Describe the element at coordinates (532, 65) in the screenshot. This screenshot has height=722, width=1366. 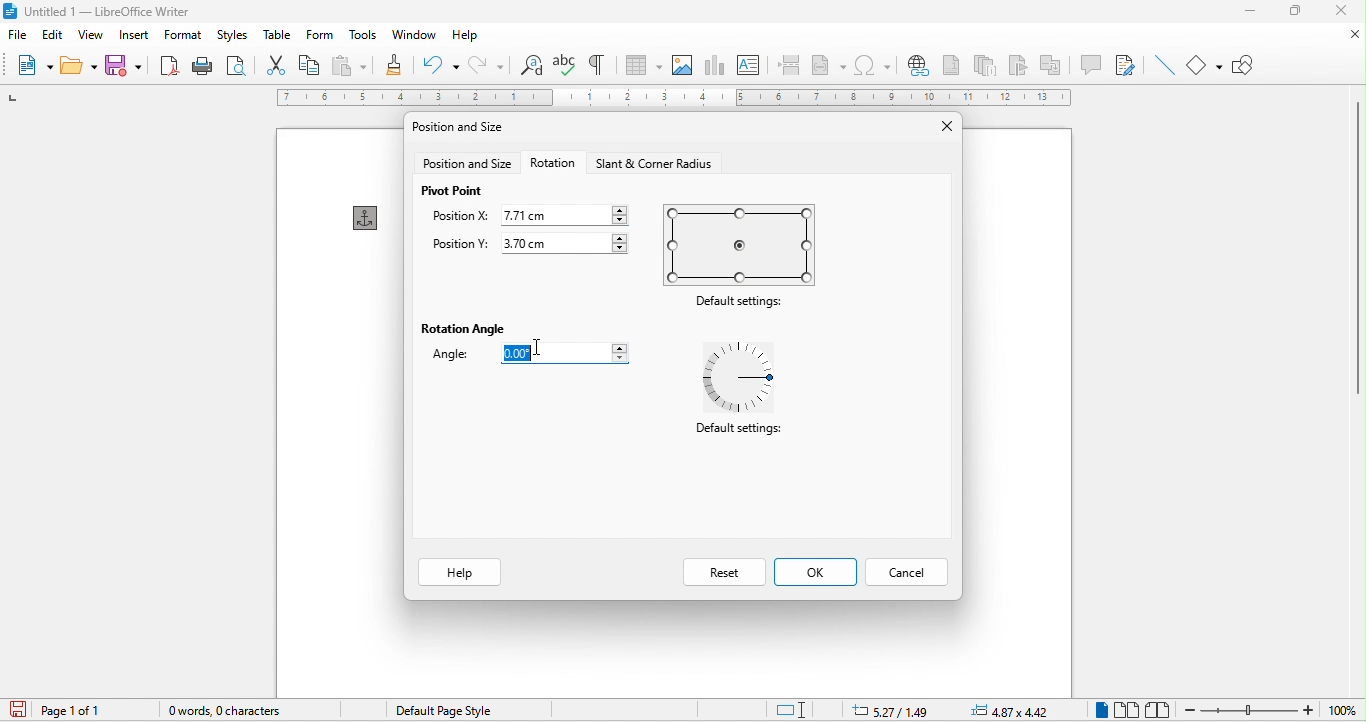
I see `find and replace` at that location.